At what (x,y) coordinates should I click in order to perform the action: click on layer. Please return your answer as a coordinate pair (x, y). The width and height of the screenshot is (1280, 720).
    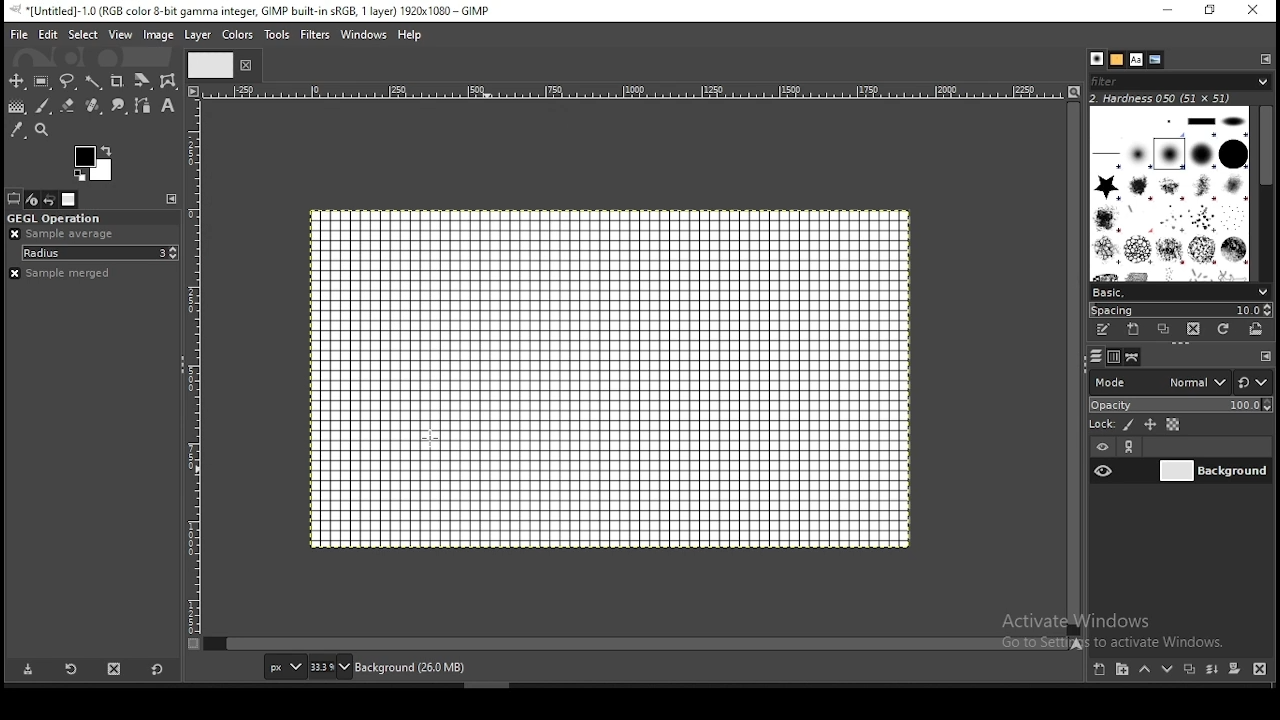
    Looking at the image, I should click on (198, 35).